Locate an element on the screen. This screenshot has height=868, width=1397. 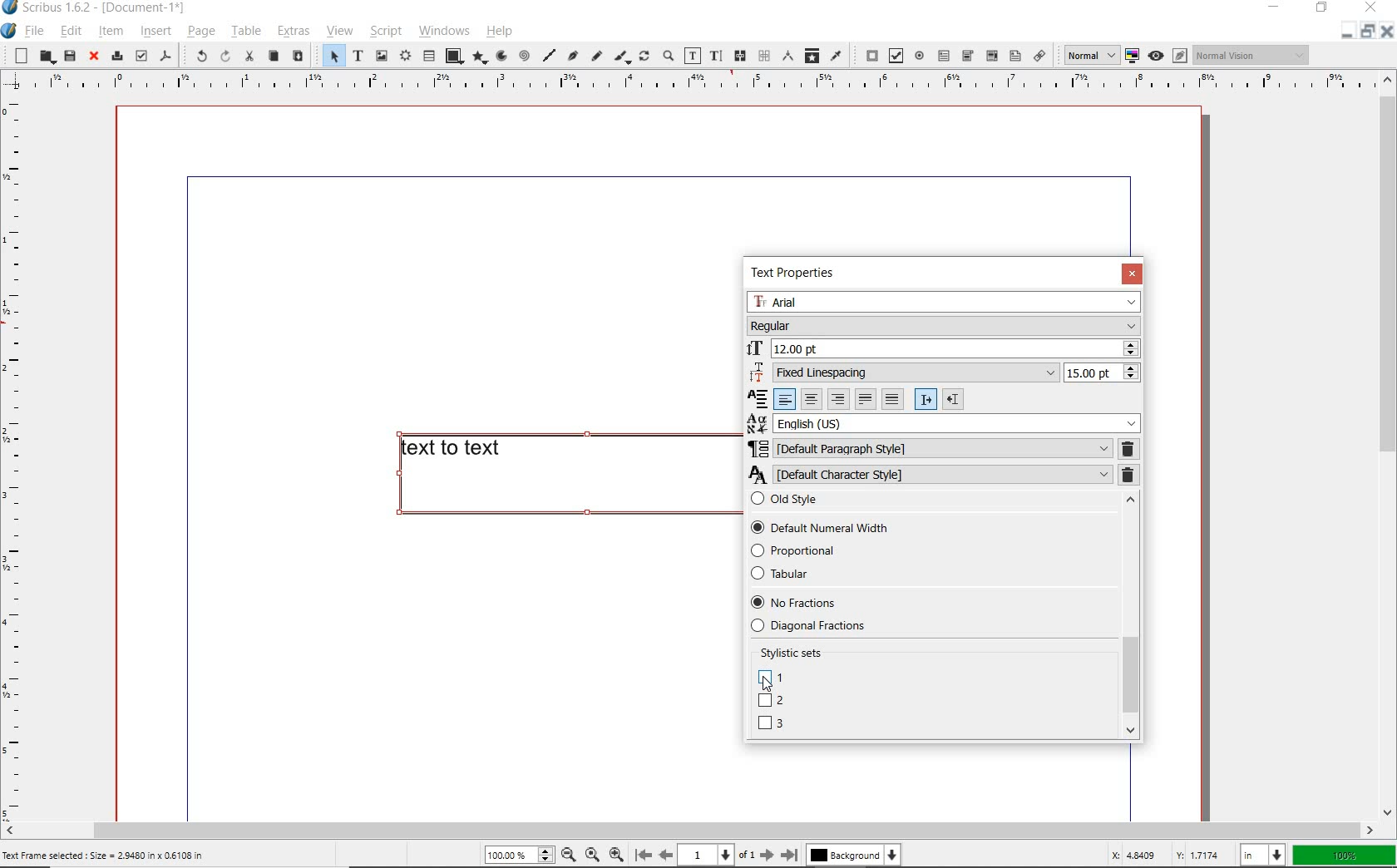
freehand line is located at coordinates (595, 57).